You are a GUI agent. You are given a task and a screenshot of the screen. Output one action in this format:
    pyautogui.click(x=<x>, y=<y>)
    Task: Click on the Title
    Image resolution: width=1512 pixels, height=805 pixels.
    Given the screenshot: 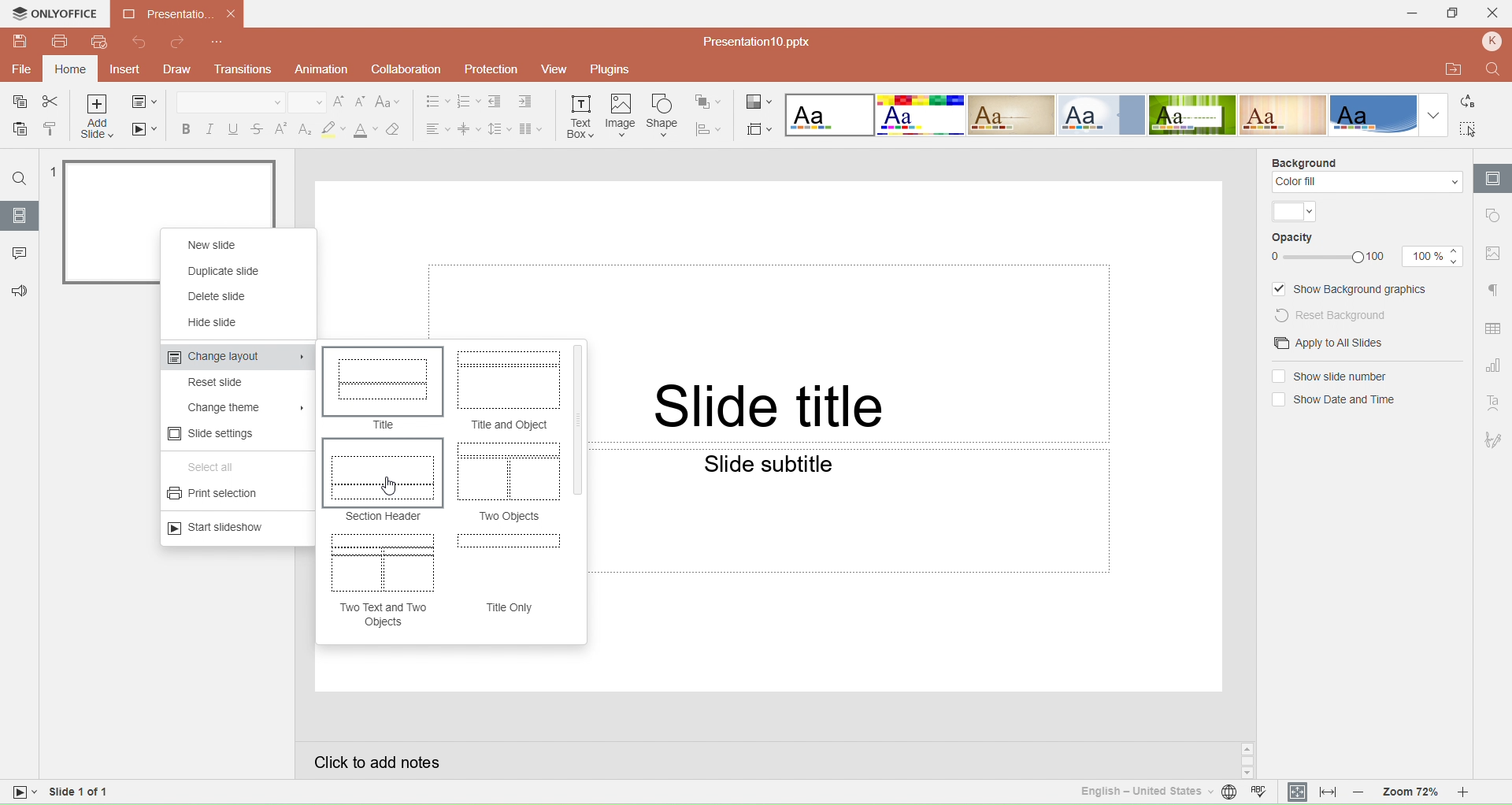 What is the action you would take?
    pyautogui.click(x=385, y=425)
    